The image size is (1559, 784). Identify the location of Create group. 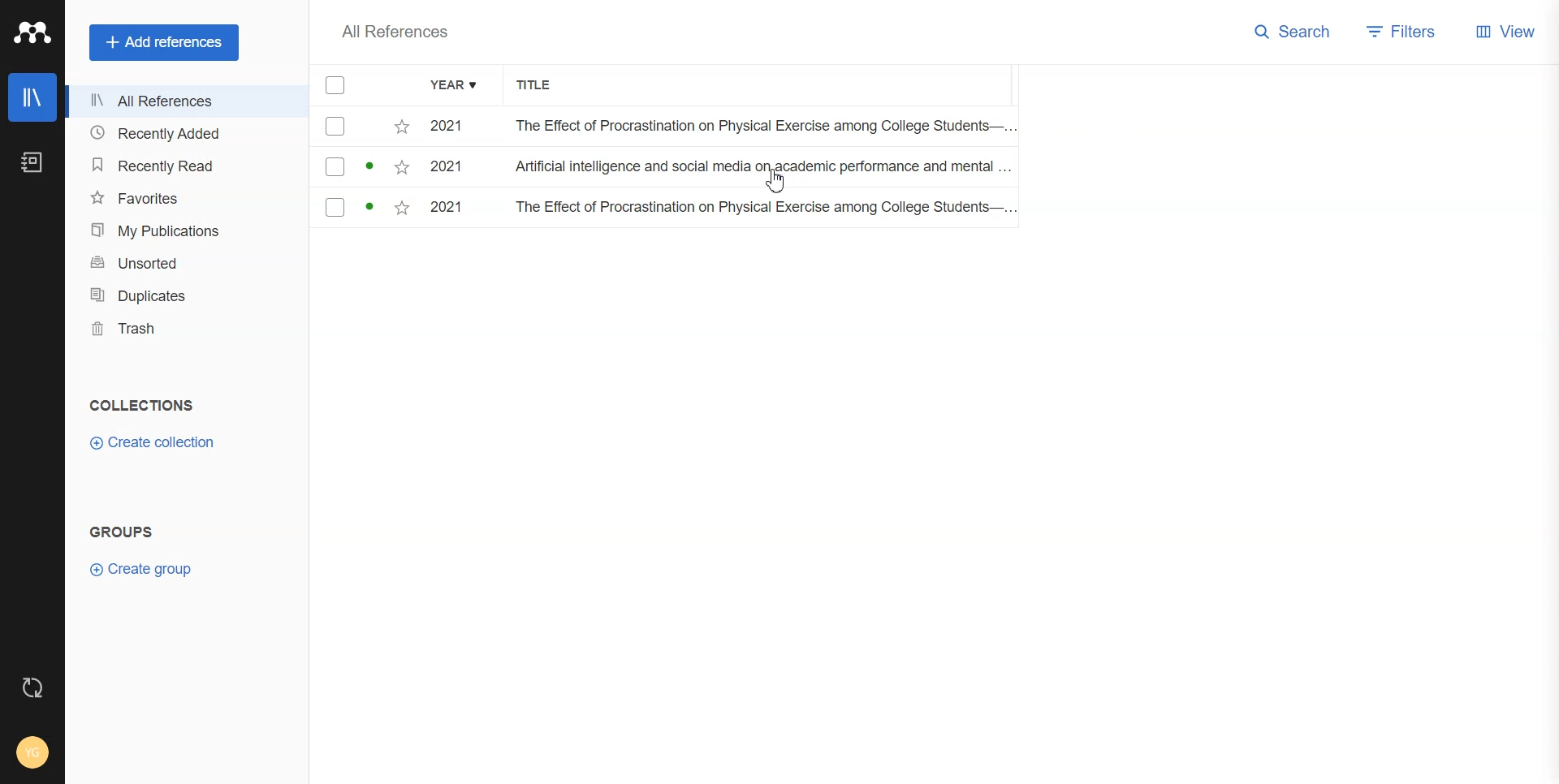
(140, 569).